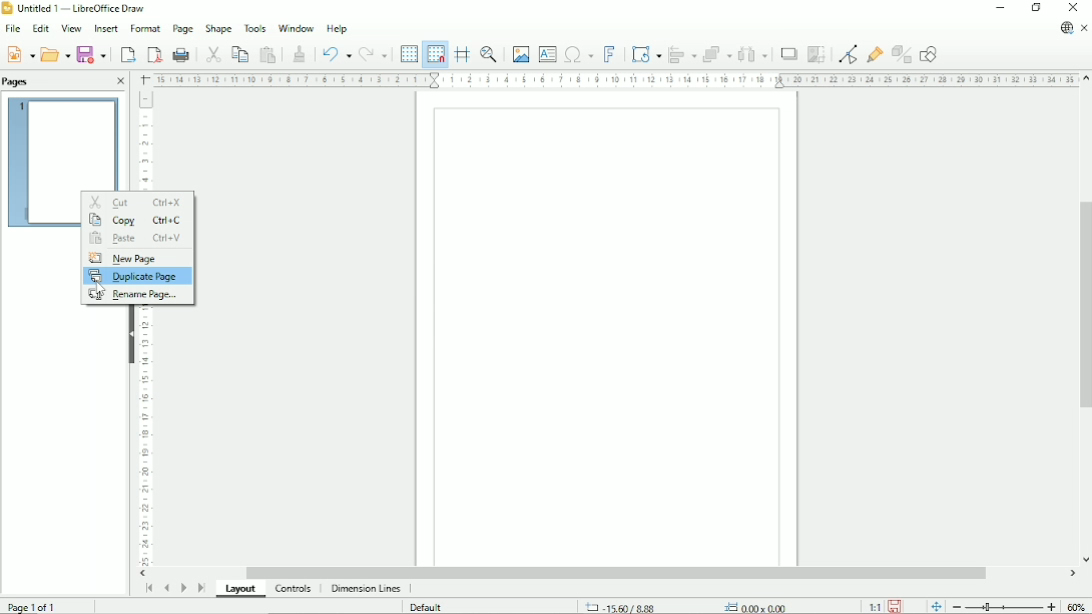  What do you see at coordinates (218, 28) in the screenshot?
I see `Shape` at bounding box center [218, 28].